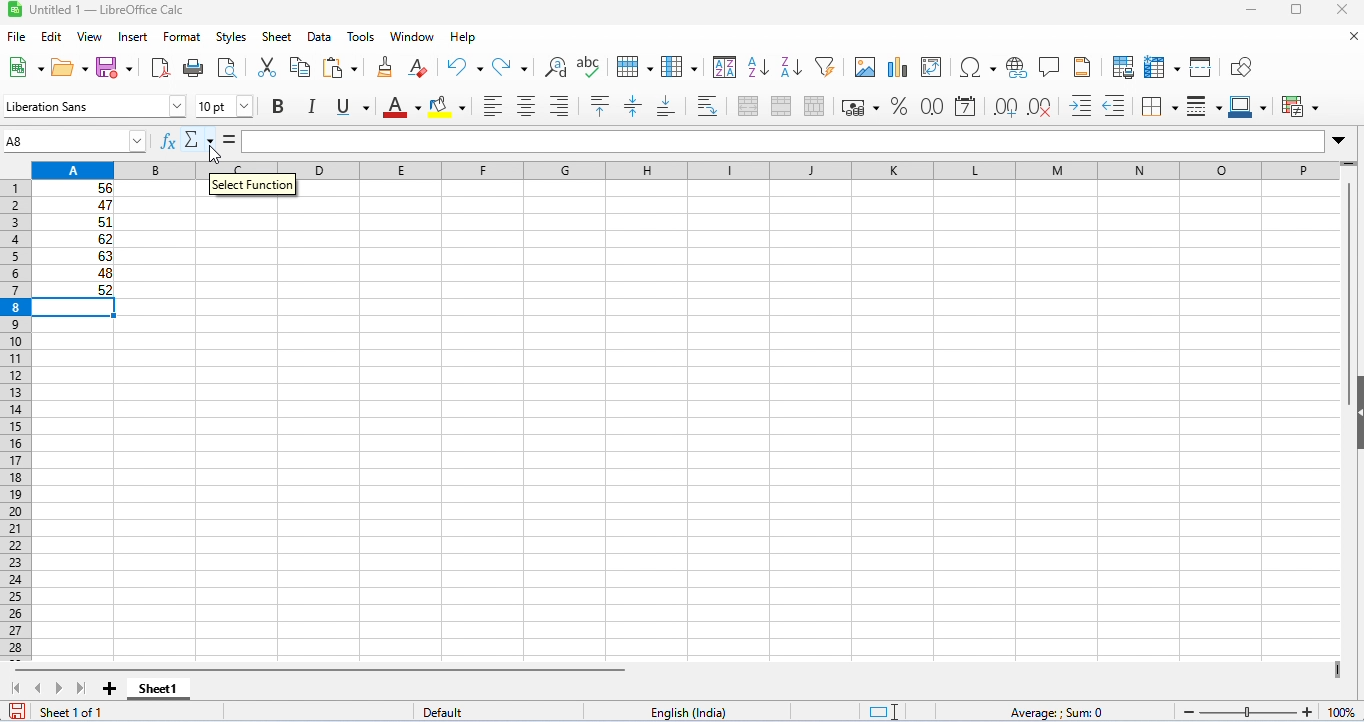  What do you see at coordinates (709, 105) in the screenshot?
I see `wrap text` at bounding box center [709, 105].